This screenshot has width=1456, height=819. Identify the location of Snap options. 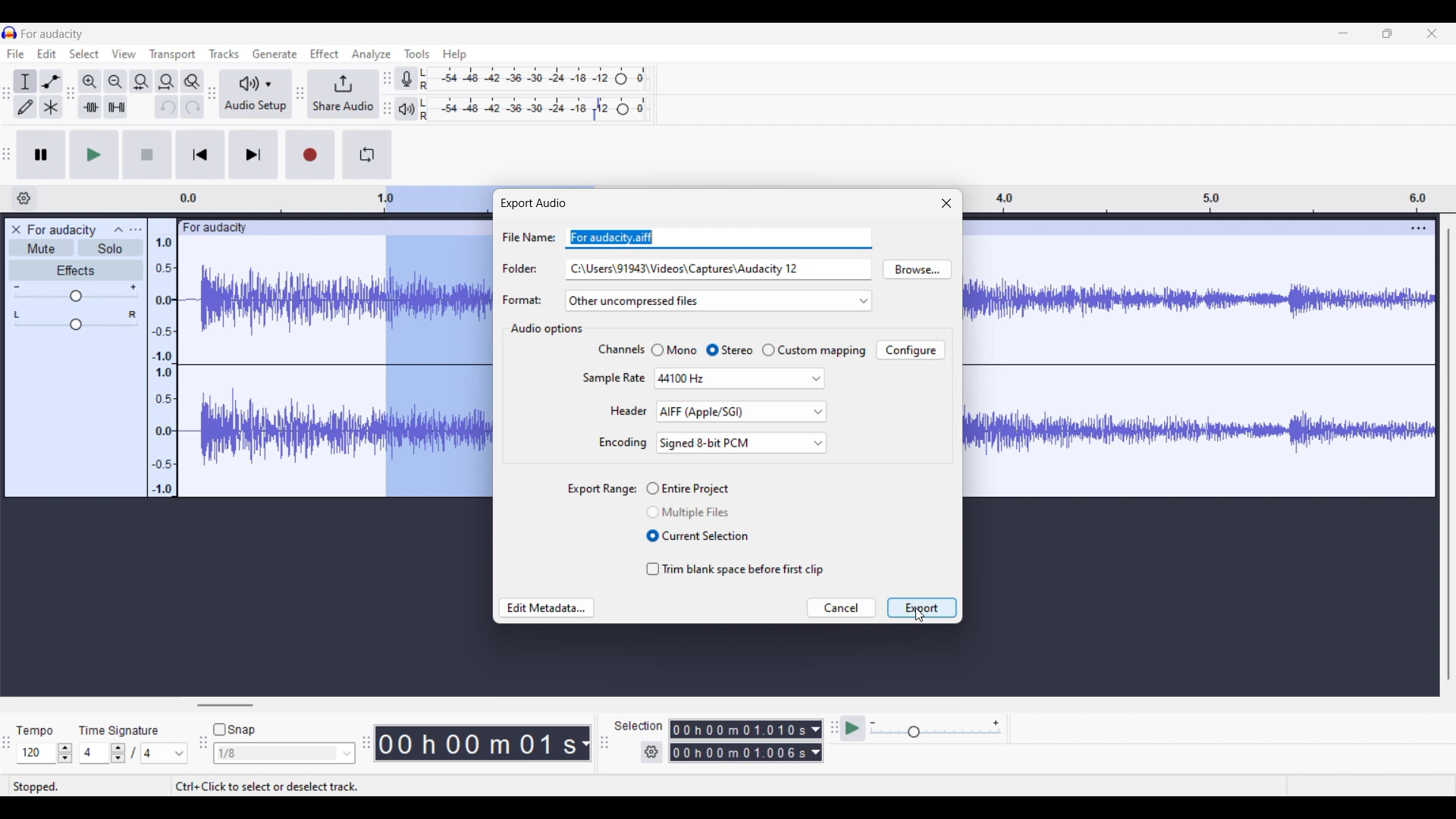
(285, 753).